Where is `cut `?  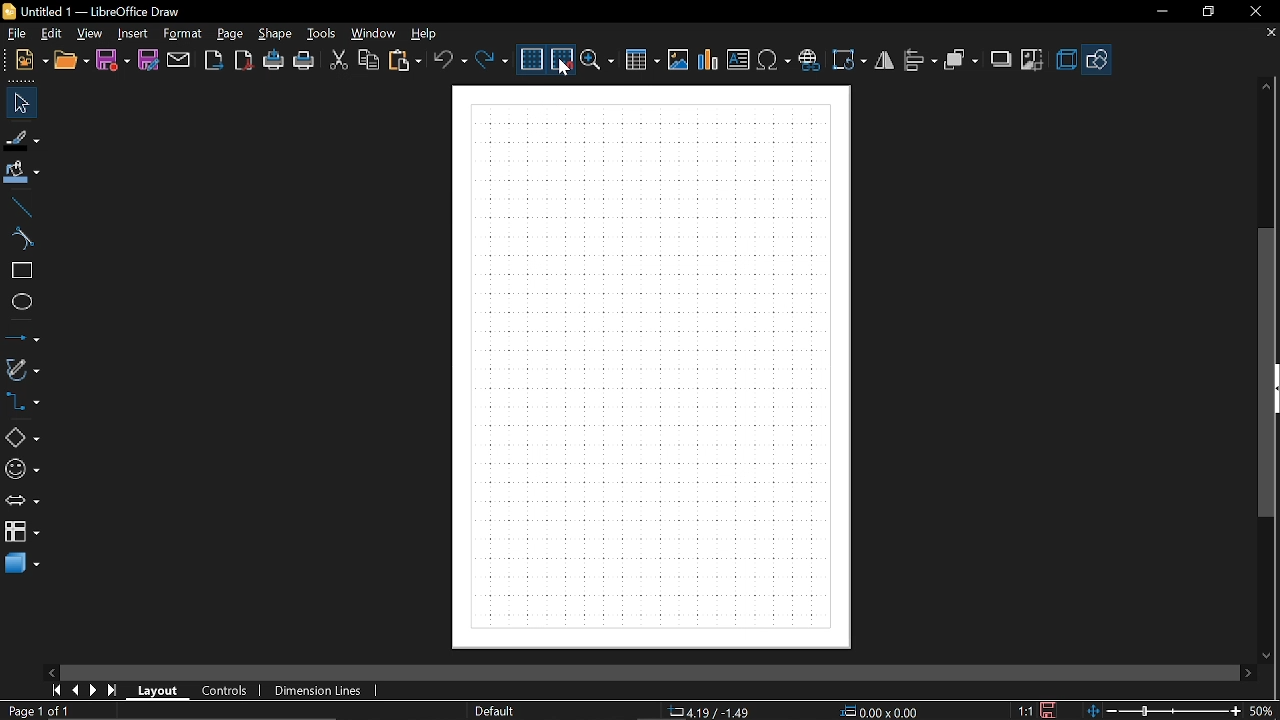
cut  is located at coordinates (338, 59).